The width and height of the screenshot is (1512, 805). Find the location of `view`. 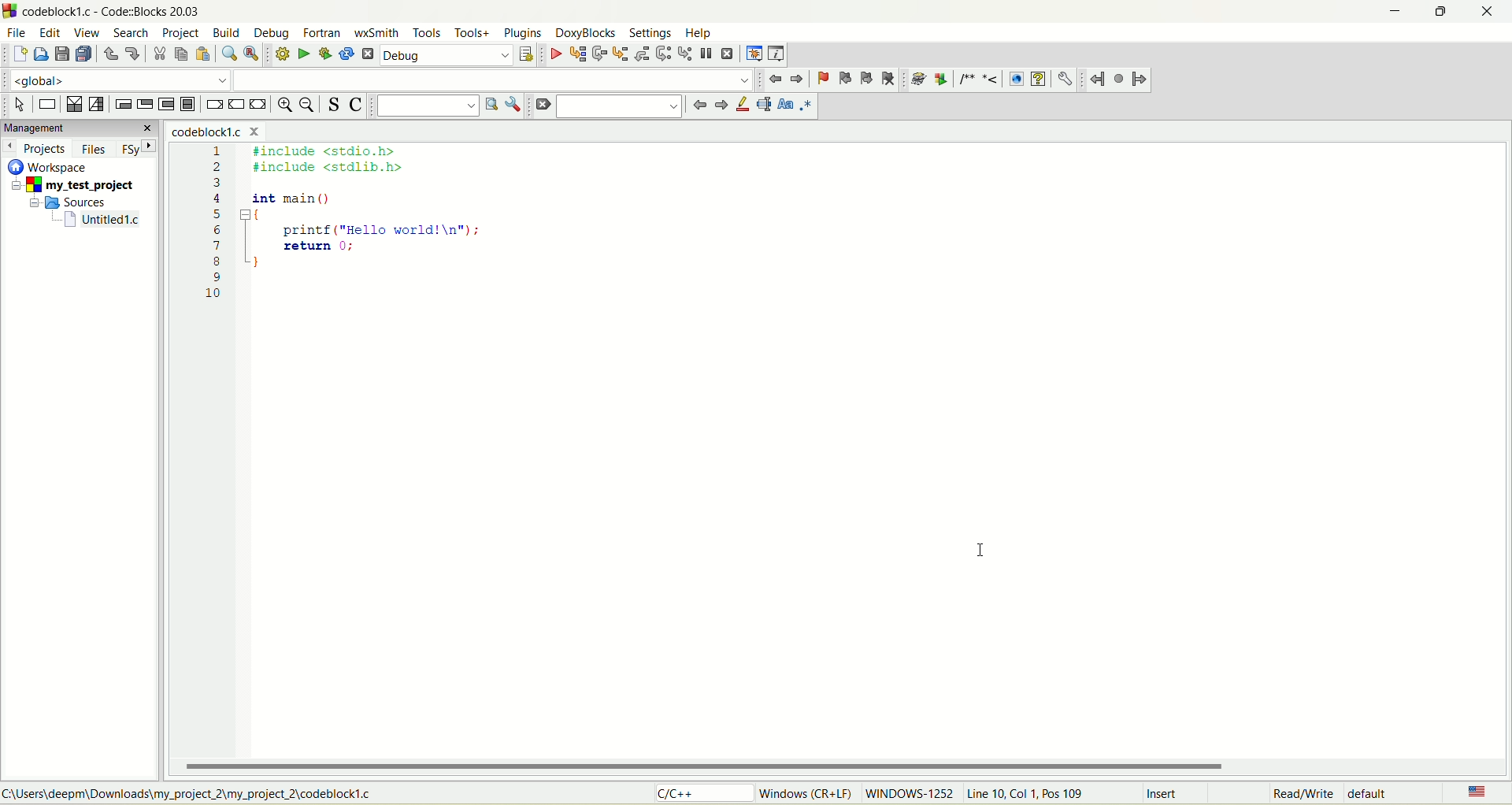

view is located at coordinates (88, 33).